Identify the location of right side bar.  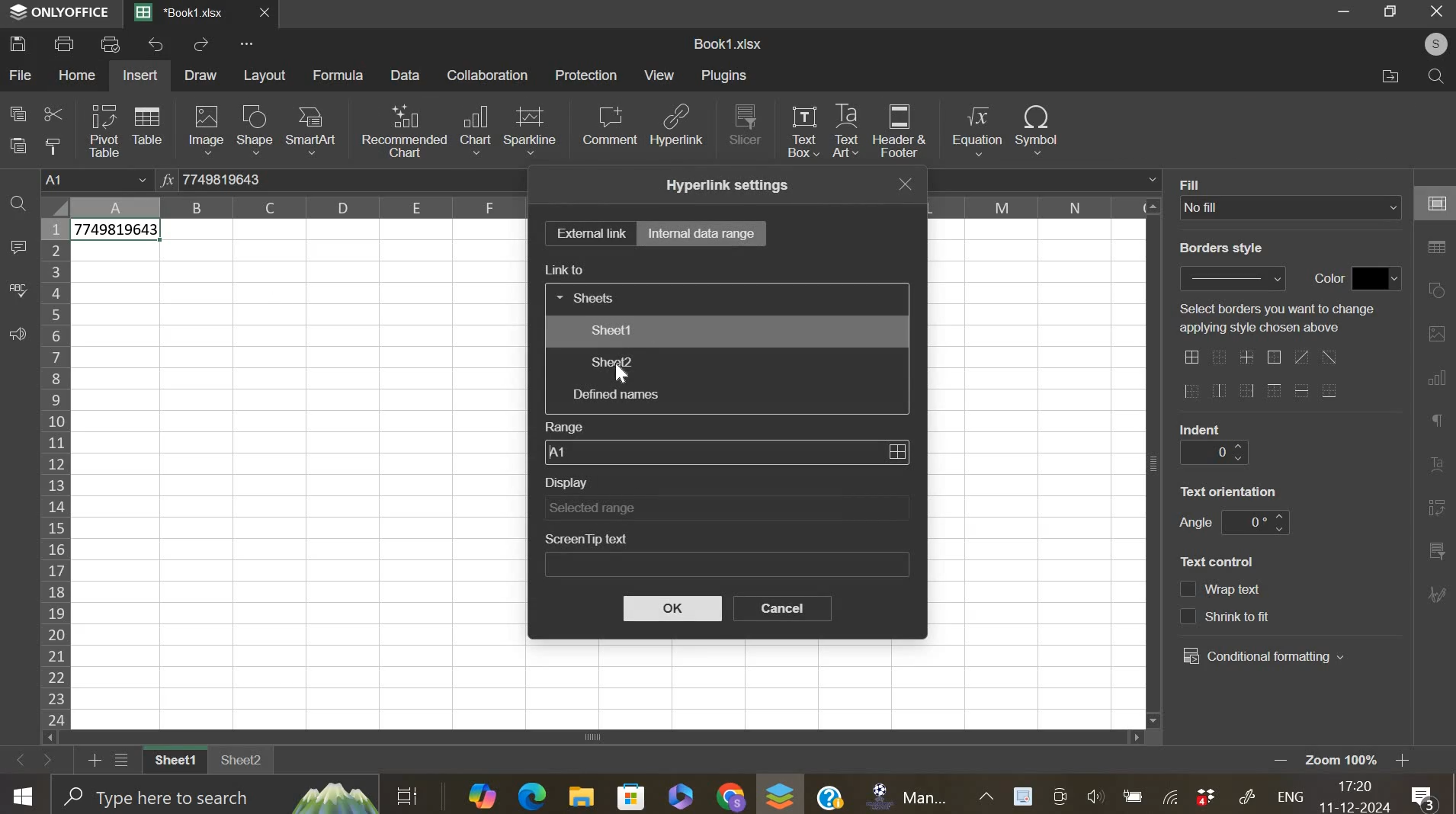
(1433, 390).